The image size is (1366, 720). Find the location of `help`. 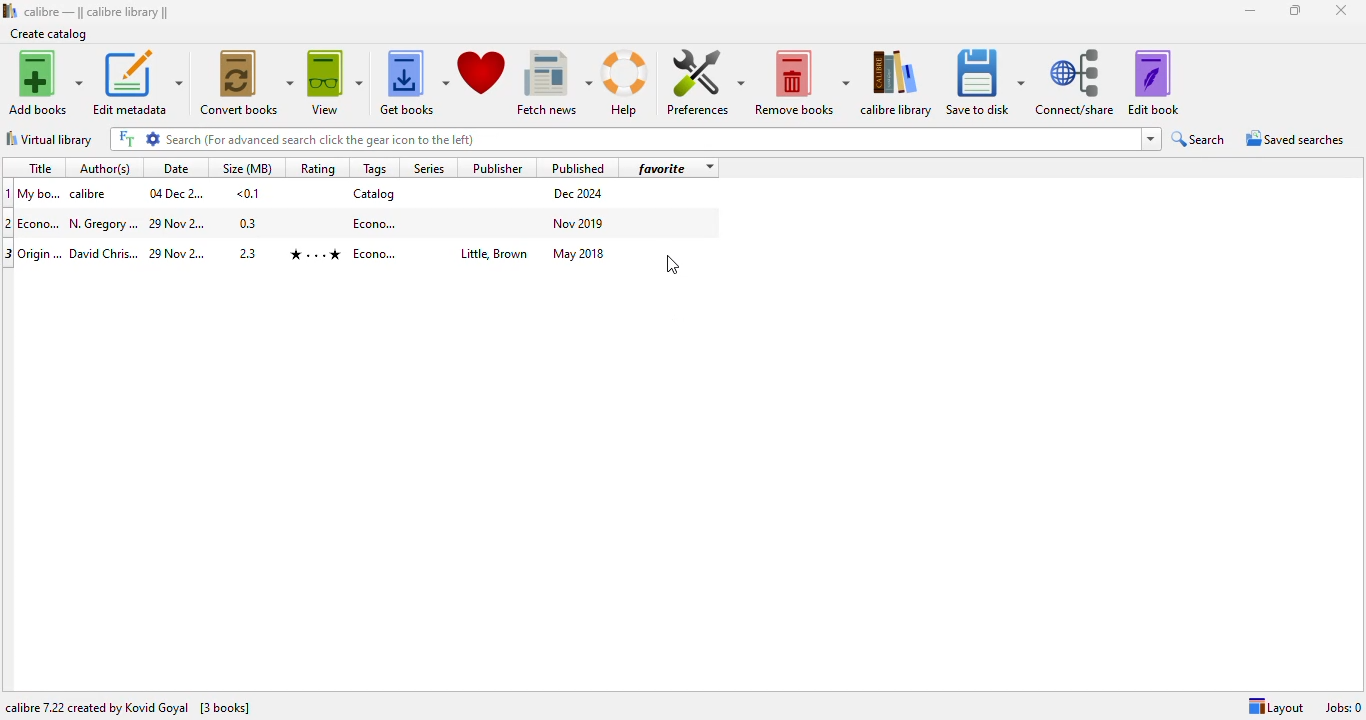

help is located at coordinates (625, 84).